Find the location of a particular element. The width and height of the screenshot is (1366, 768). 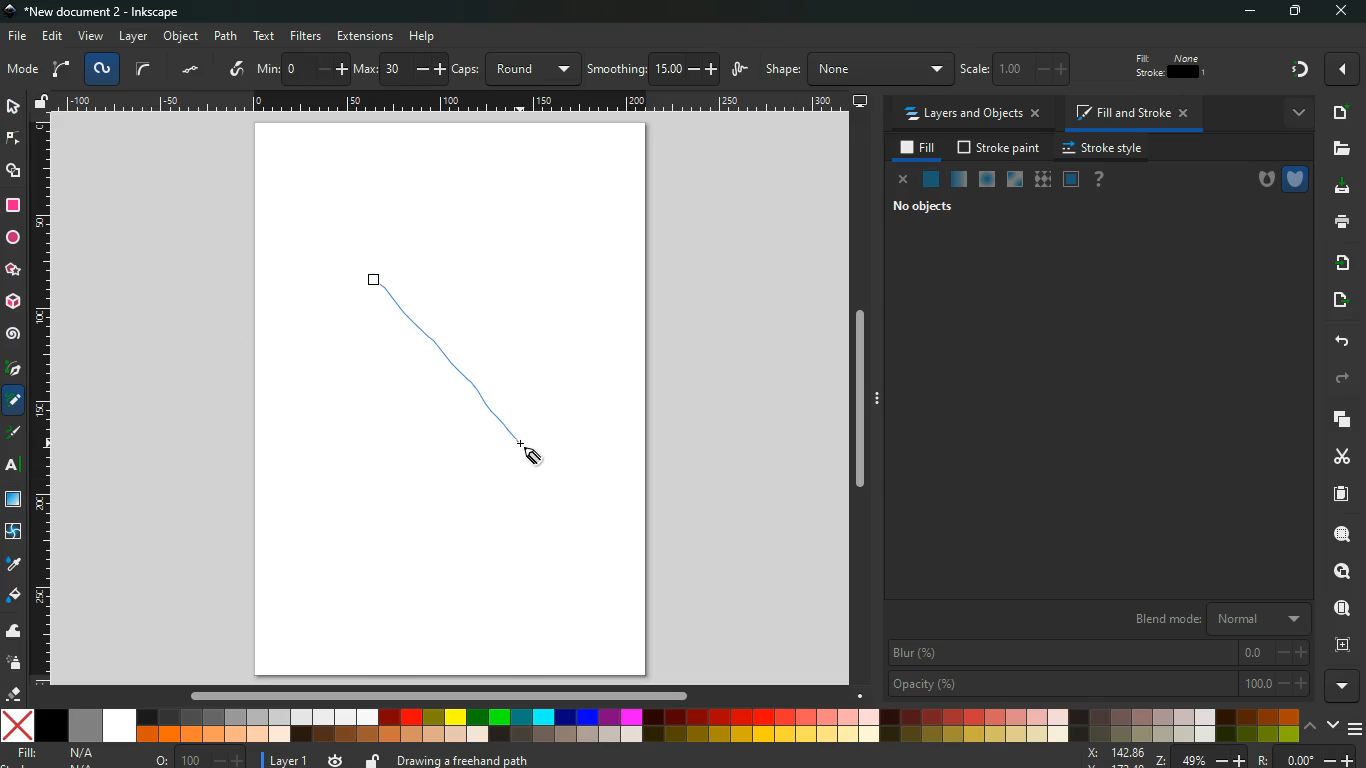

help is located at coordinates (1103, 180).